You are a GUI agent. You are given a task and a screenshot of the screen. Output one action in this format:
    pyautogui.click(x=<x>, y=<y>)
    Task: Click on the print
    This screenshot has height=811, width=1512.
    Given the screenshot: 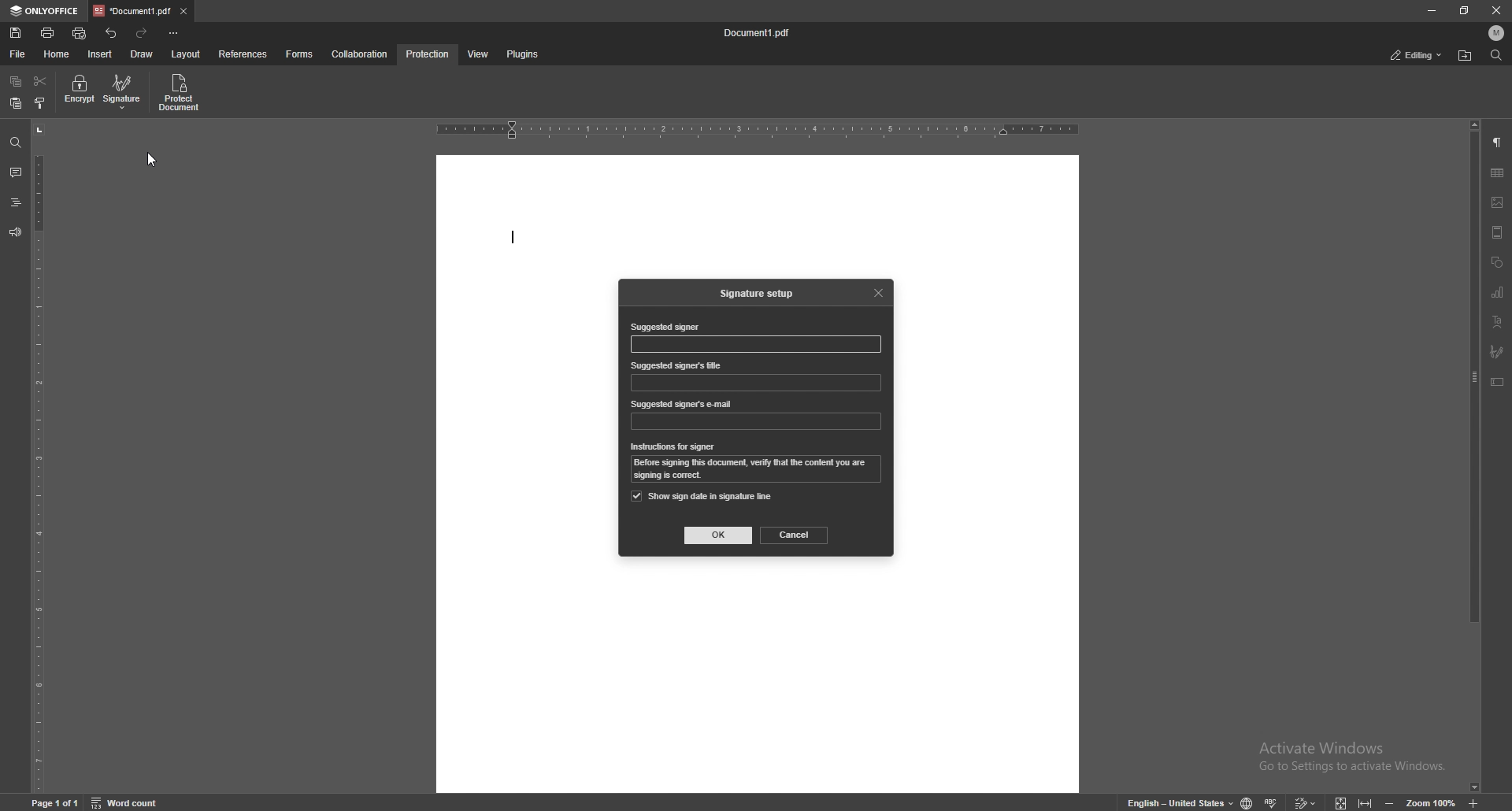 What is the action you would take?
    pyautogui.click(x=49, y=32)
    